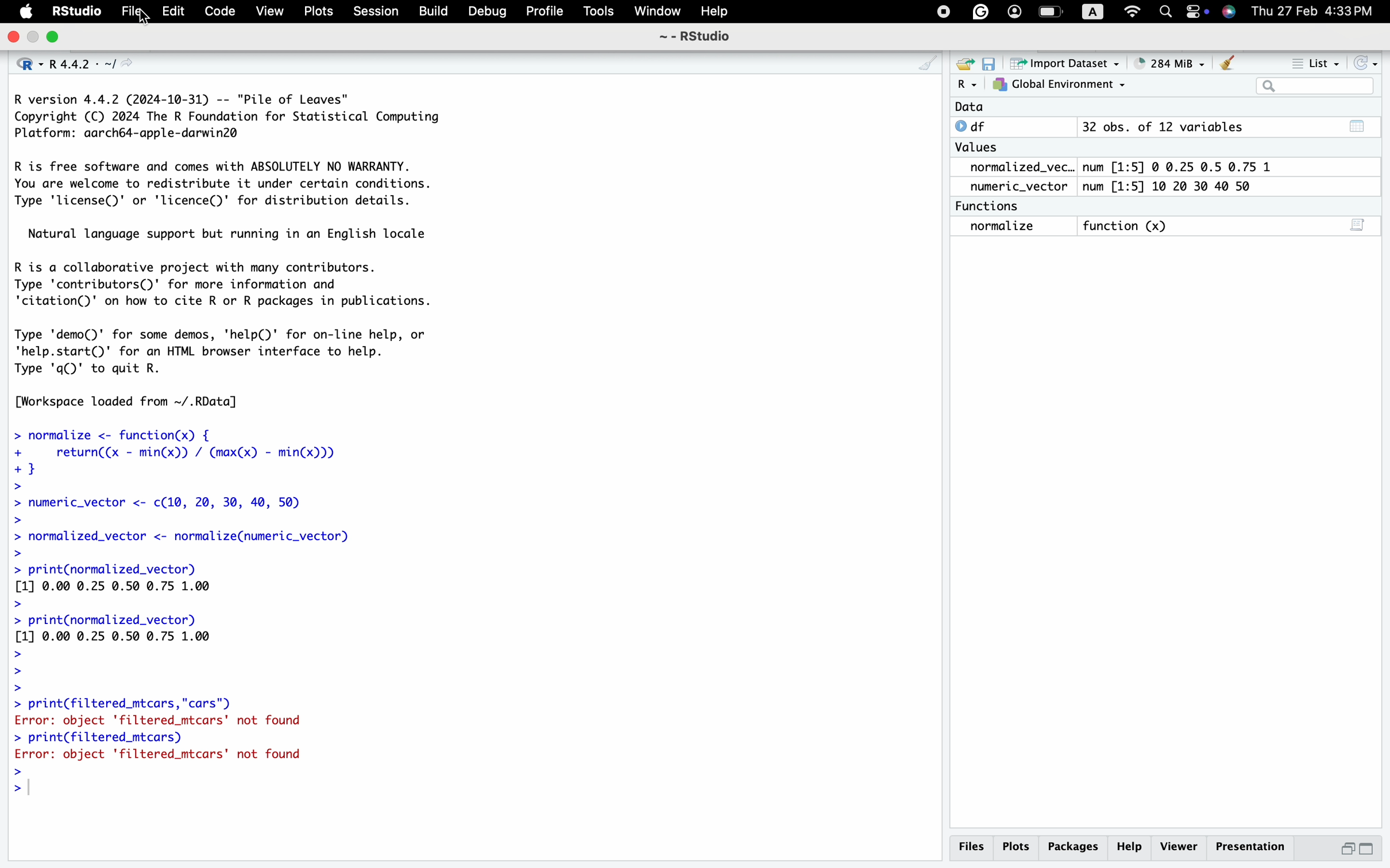  What do you see at coordinates (1126, 226) in the screenshot?
I see `Function (x)` at bounding box center [1126, 226].